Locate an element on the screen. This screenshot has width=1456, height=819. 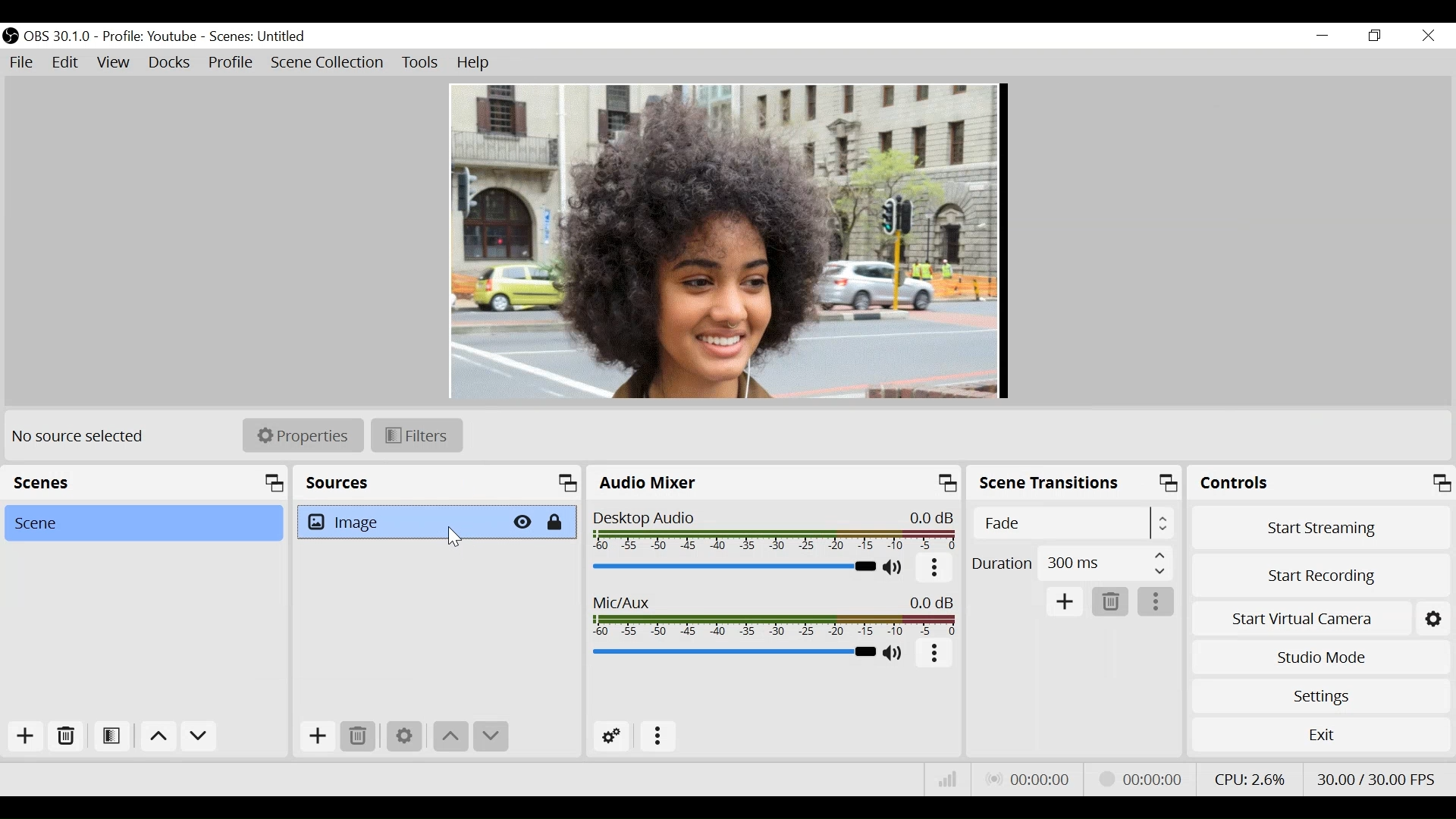
Open Scene Filter is located at coordinates (113, 738).